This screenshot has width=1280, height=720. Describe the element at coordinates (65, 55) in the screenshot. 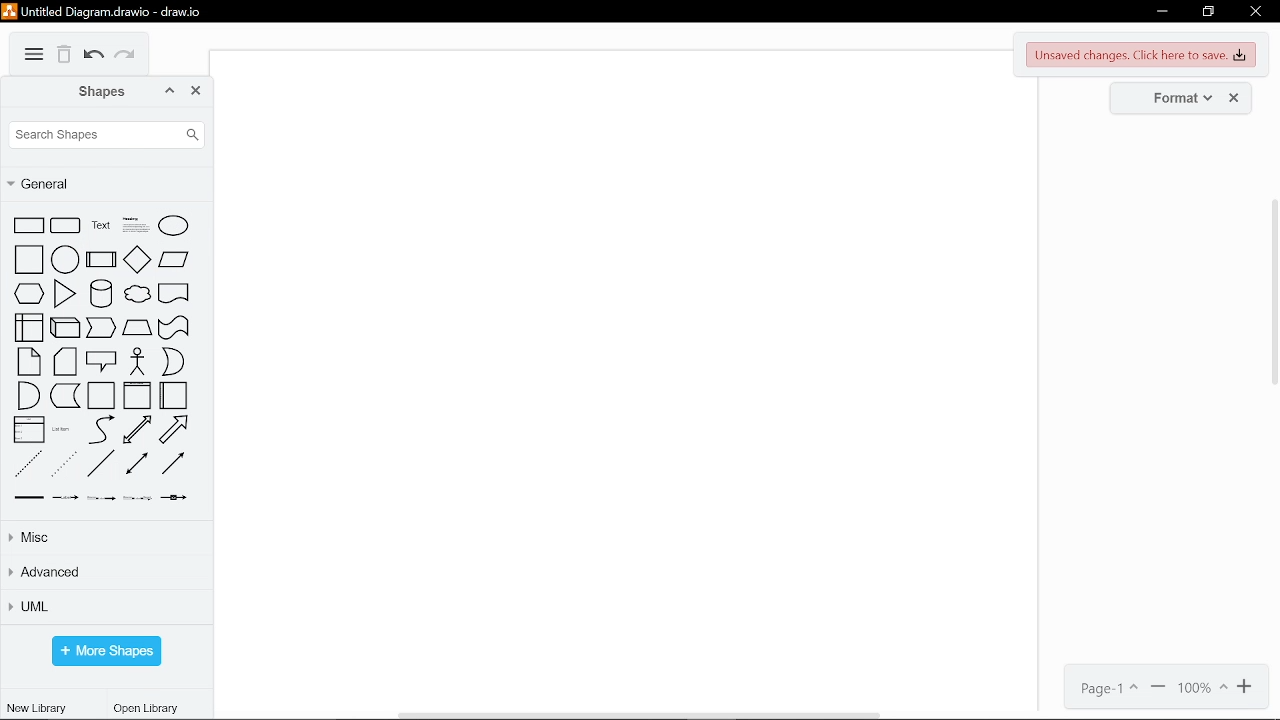

I see `delete` at that location.